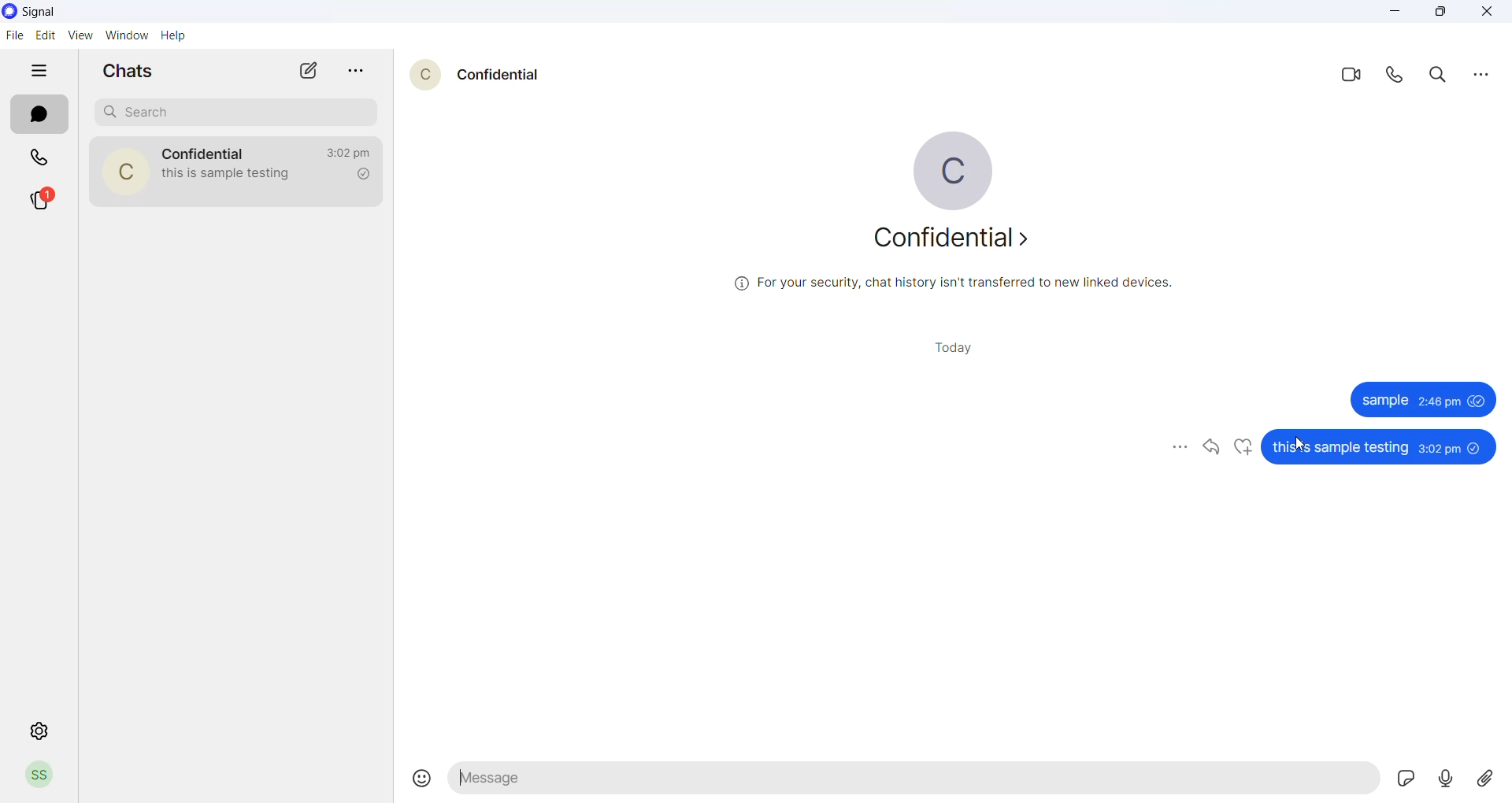 This screenshot has width=1512, height=803. Describe the element at coordinates (206, 152) in the screenshot. I see `contact name` at that location.